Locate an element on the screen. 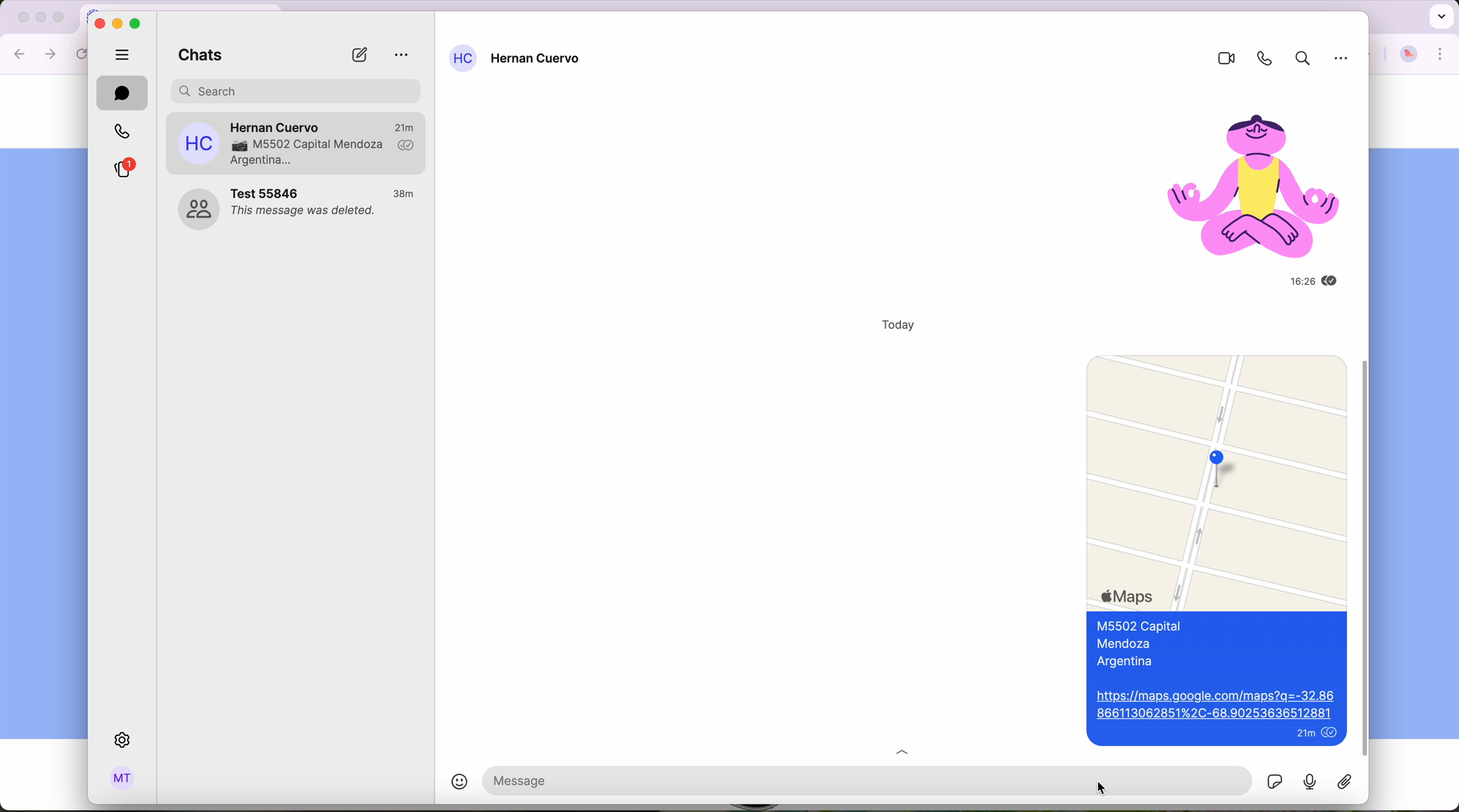 The image size is (1459, 812). profile picture is located at coordinates (1409, 55).